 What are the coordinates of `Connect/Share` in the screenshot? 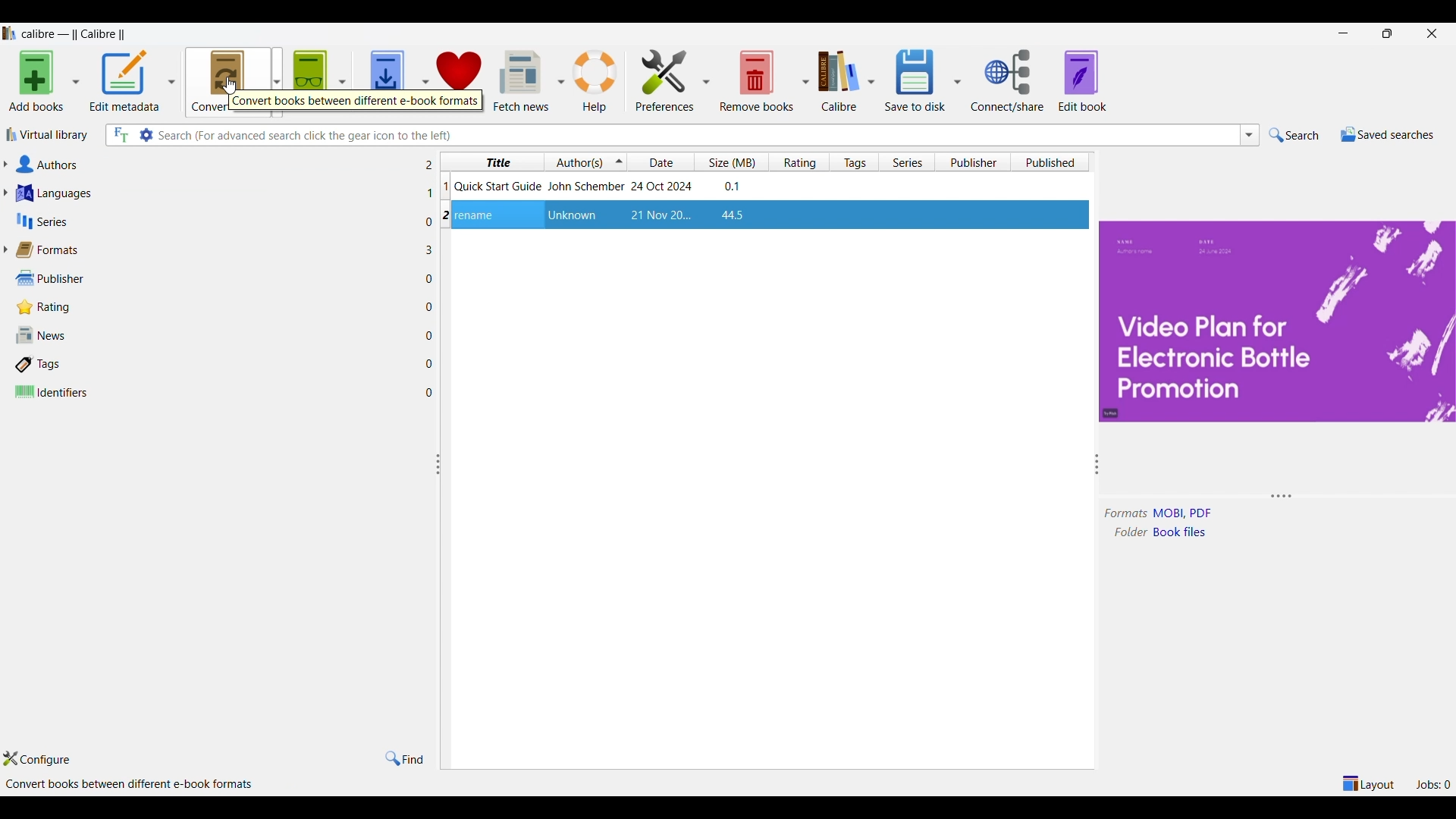 It's located at (1007, 80).